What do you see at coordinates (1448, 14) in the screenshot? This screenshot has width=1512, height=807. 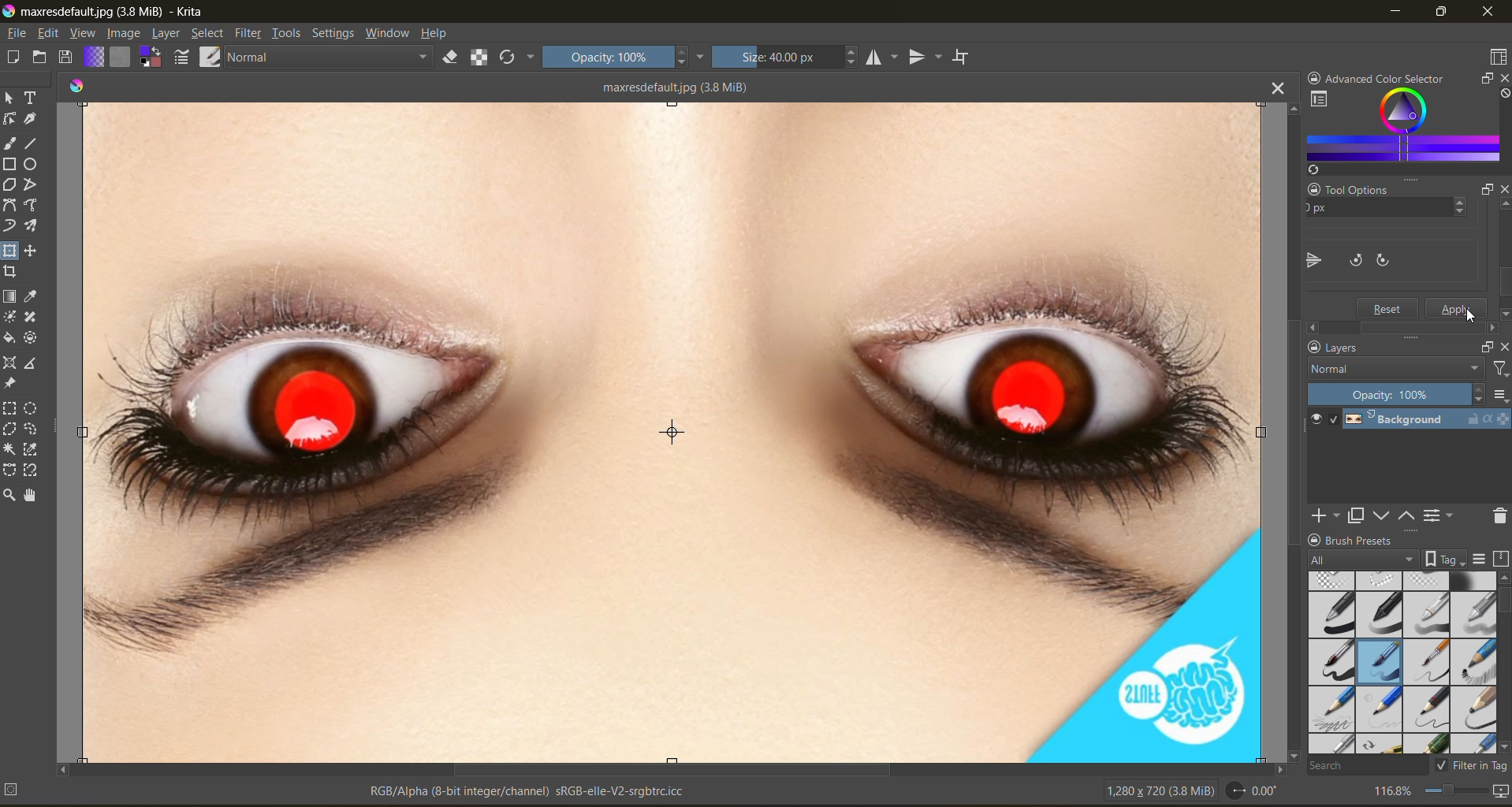 I see `maximize` at bounding box center [1448, 14].